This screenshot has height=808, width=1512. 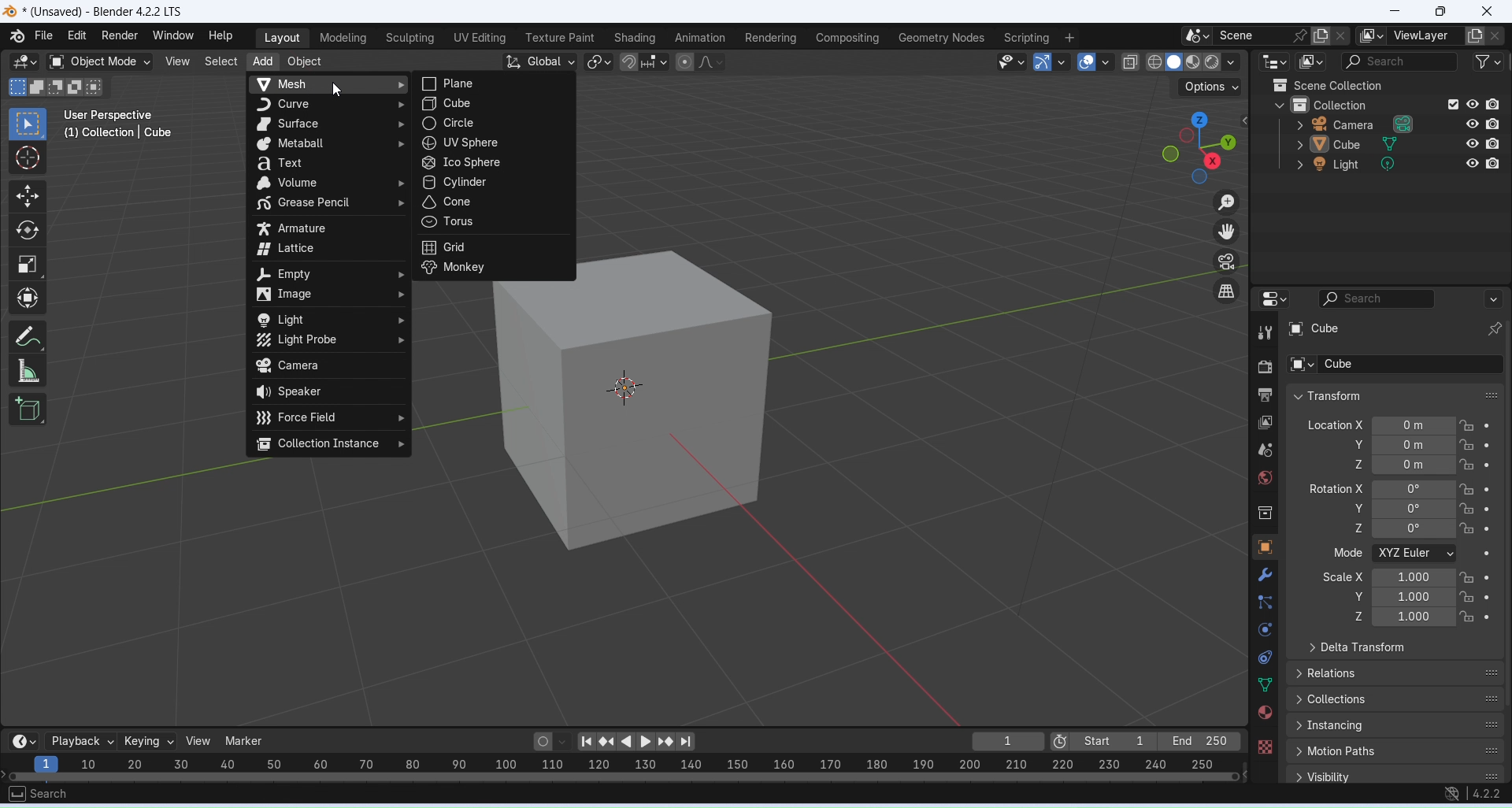 What do you see at coordinates (327, 125) in the screenshot?
I see `surface` at bounding box center [327, 125].